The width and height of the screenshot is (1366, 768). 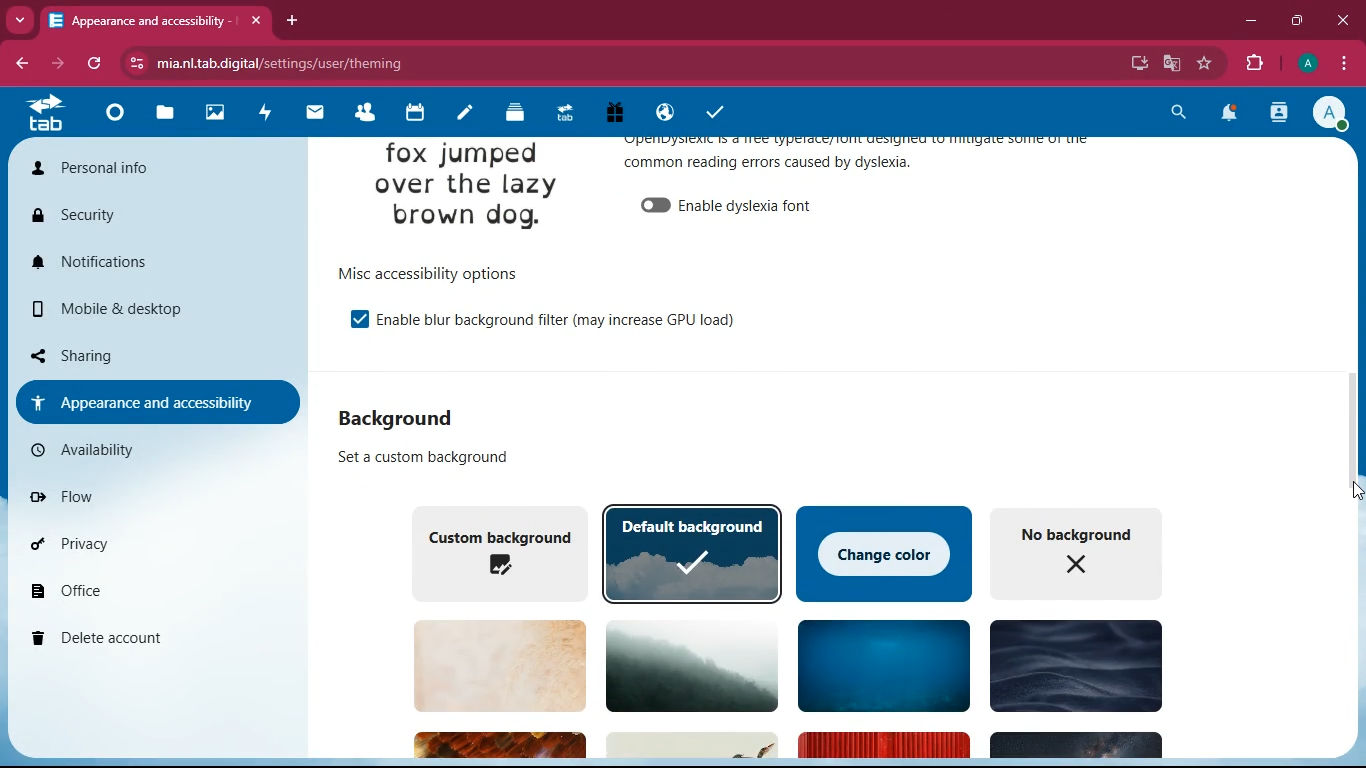 I want to click on google translate, so click(x=1170, y=66).